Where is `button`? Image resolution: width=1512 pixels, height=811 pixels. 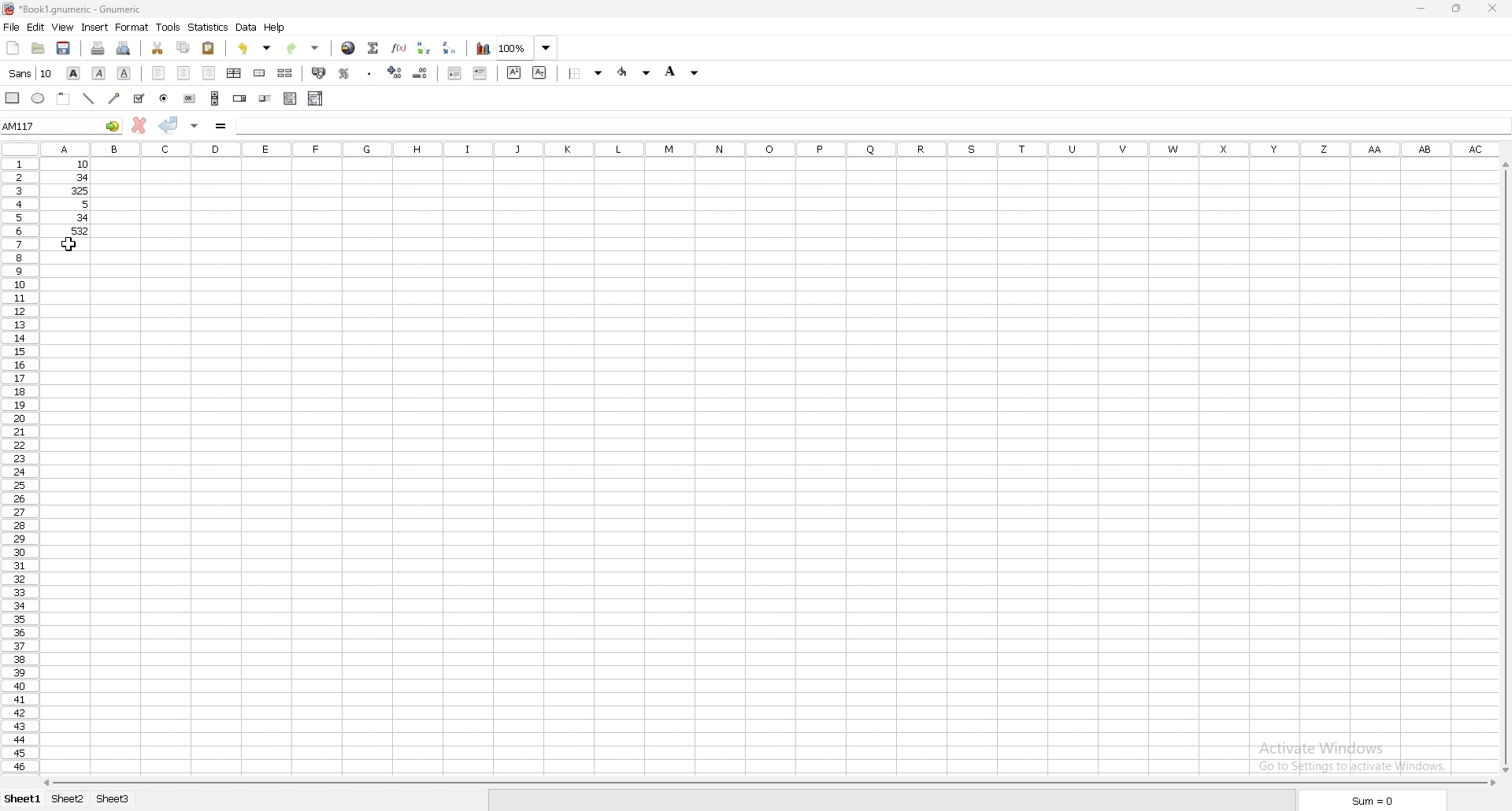
button is located at coordinates (190, 98).